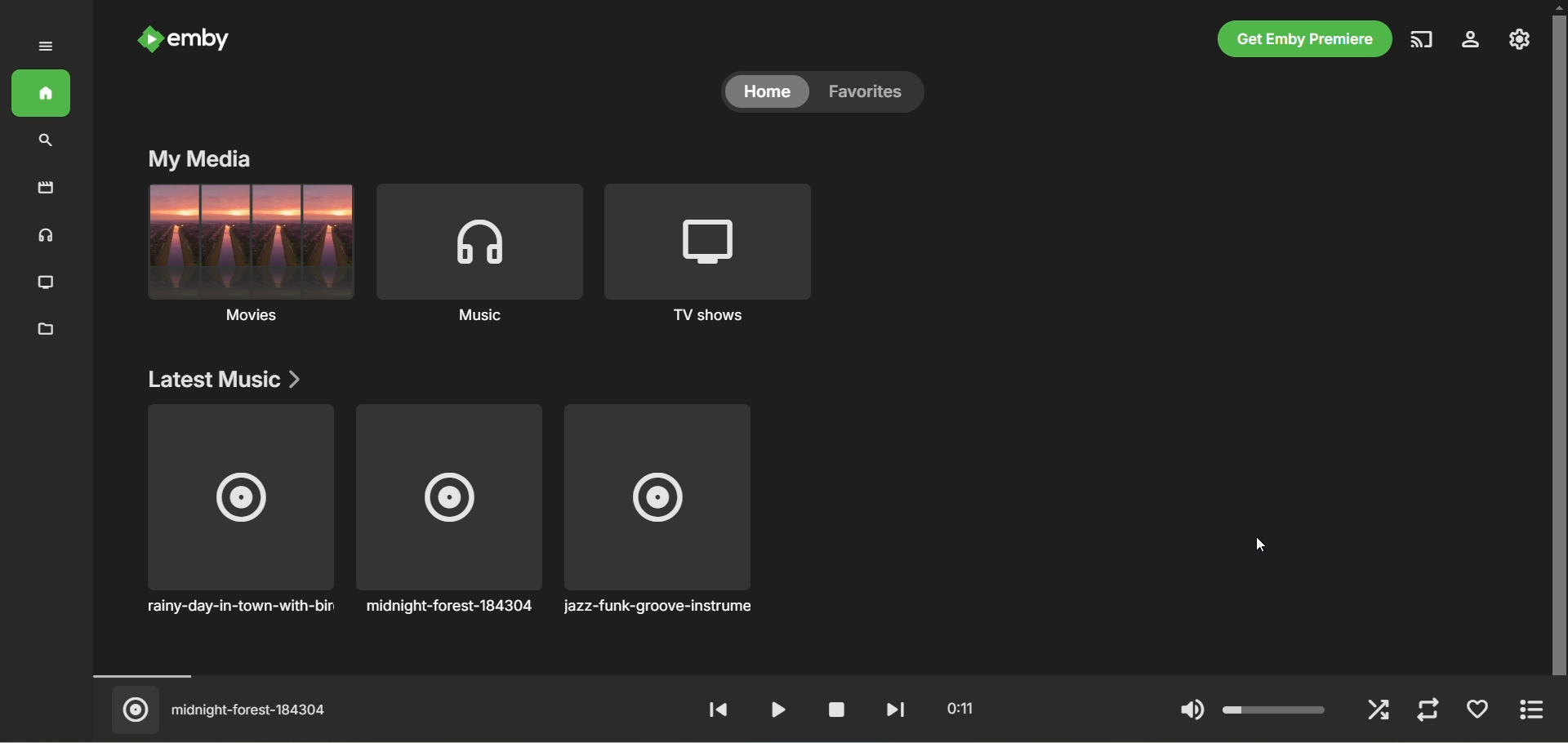 The width and height of the screenshot is (1568, 743). Describe the element at coordinates (46, 329) in the screenshot. I see `metadata manager` at that location.